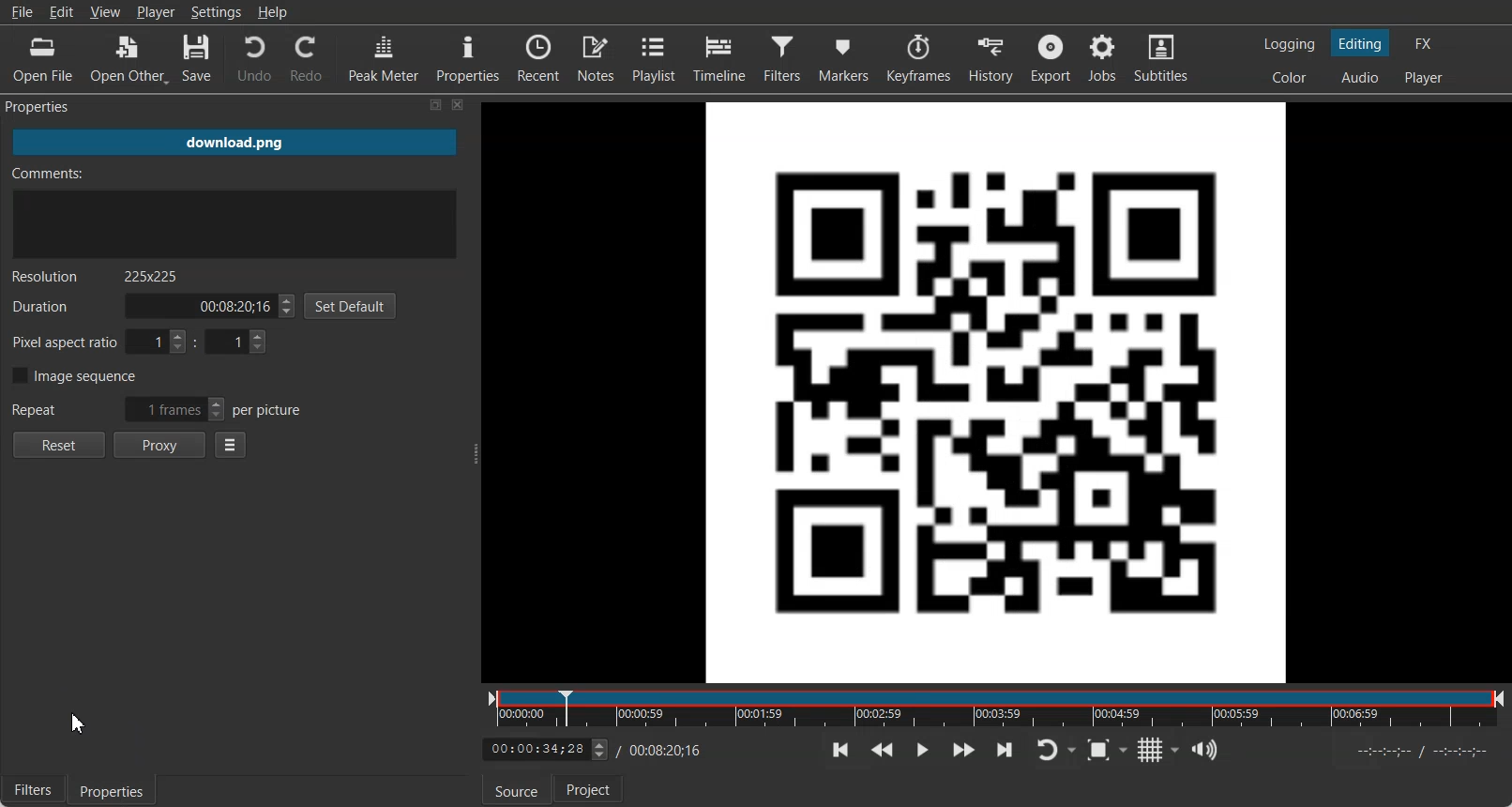  I want to click on Open Other, so click(128, 58).